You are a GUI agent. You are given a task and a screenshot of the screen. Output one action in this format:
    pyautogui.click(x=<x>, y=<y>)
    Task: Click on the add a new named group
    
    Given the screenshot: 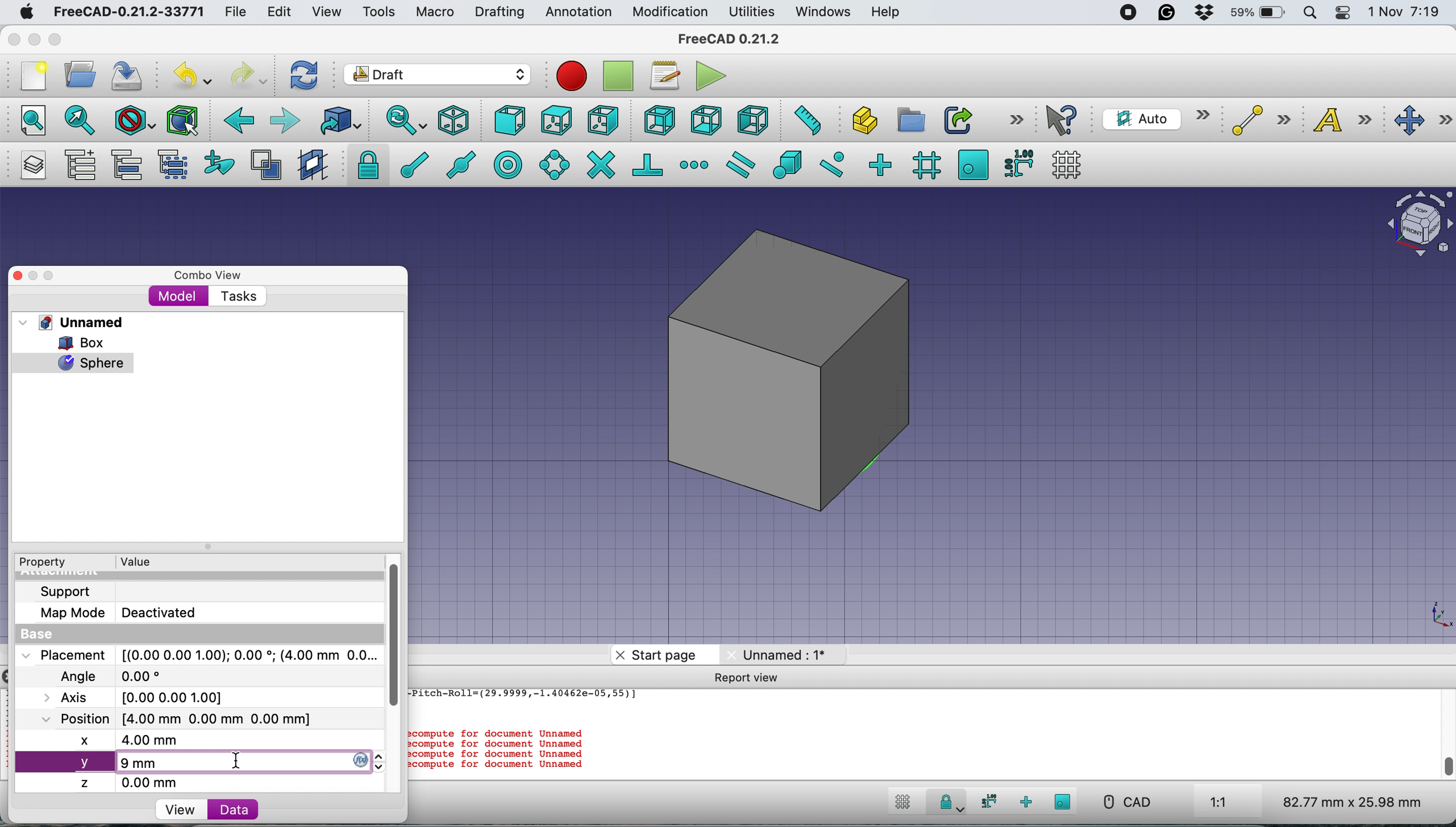 What is the action you would take?
    pyautogui.click(x=80, y=167)
    